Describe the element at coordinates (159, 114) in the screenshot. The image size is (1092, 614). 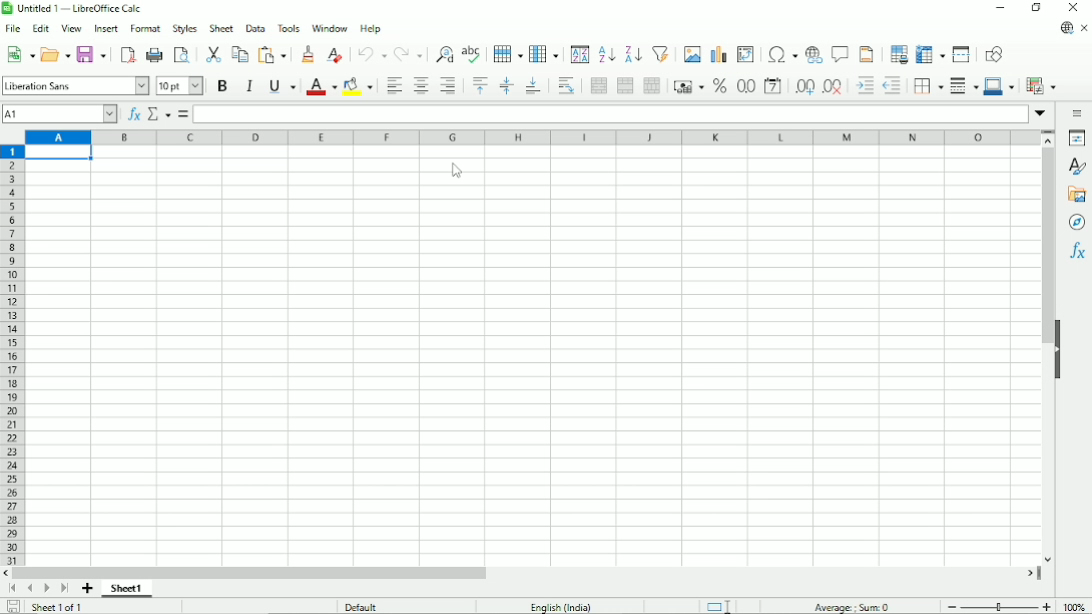
I see `Select function` at that location.